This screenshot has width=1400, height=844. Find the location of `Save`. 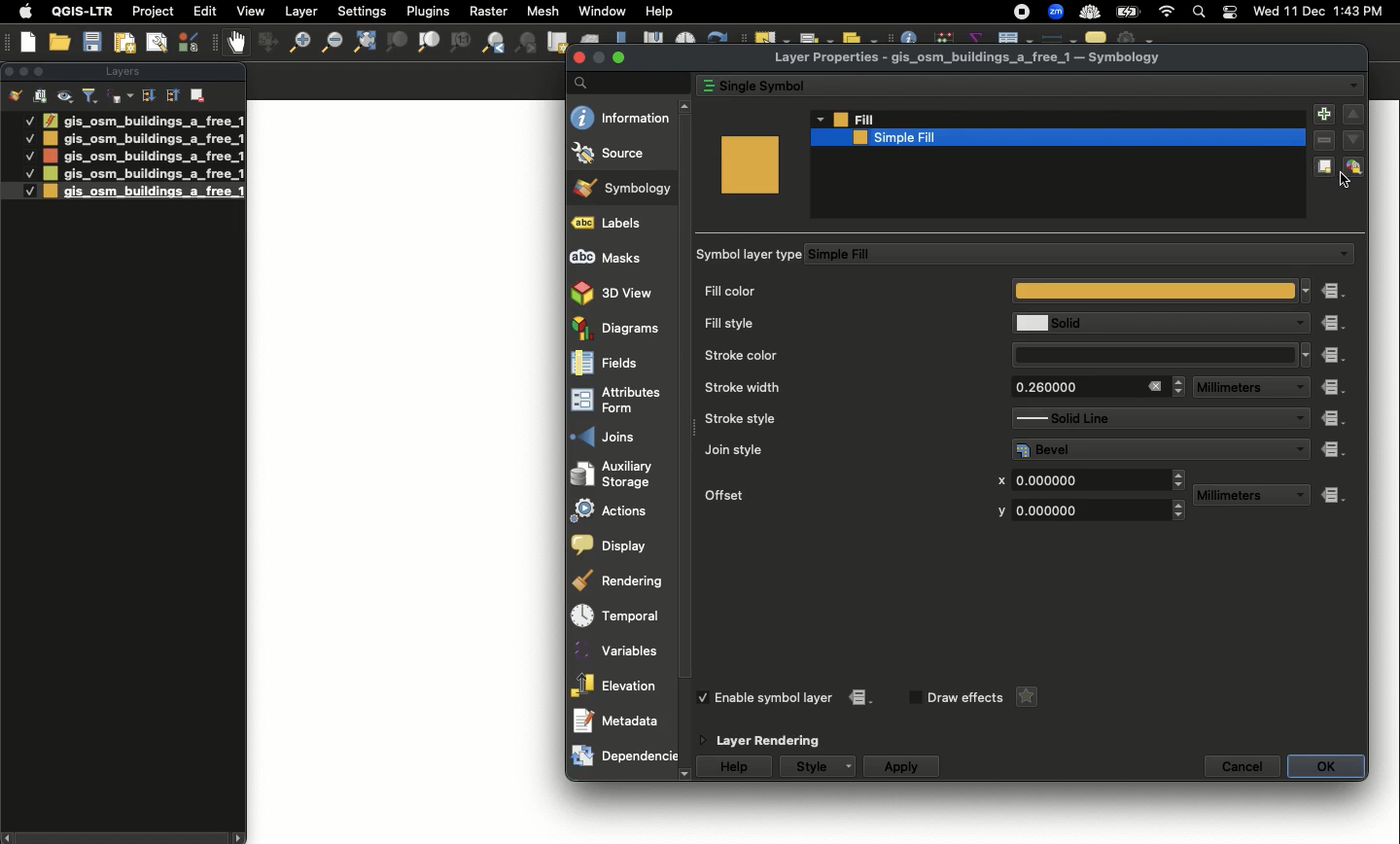

Save is located at coordinates (92, 43).